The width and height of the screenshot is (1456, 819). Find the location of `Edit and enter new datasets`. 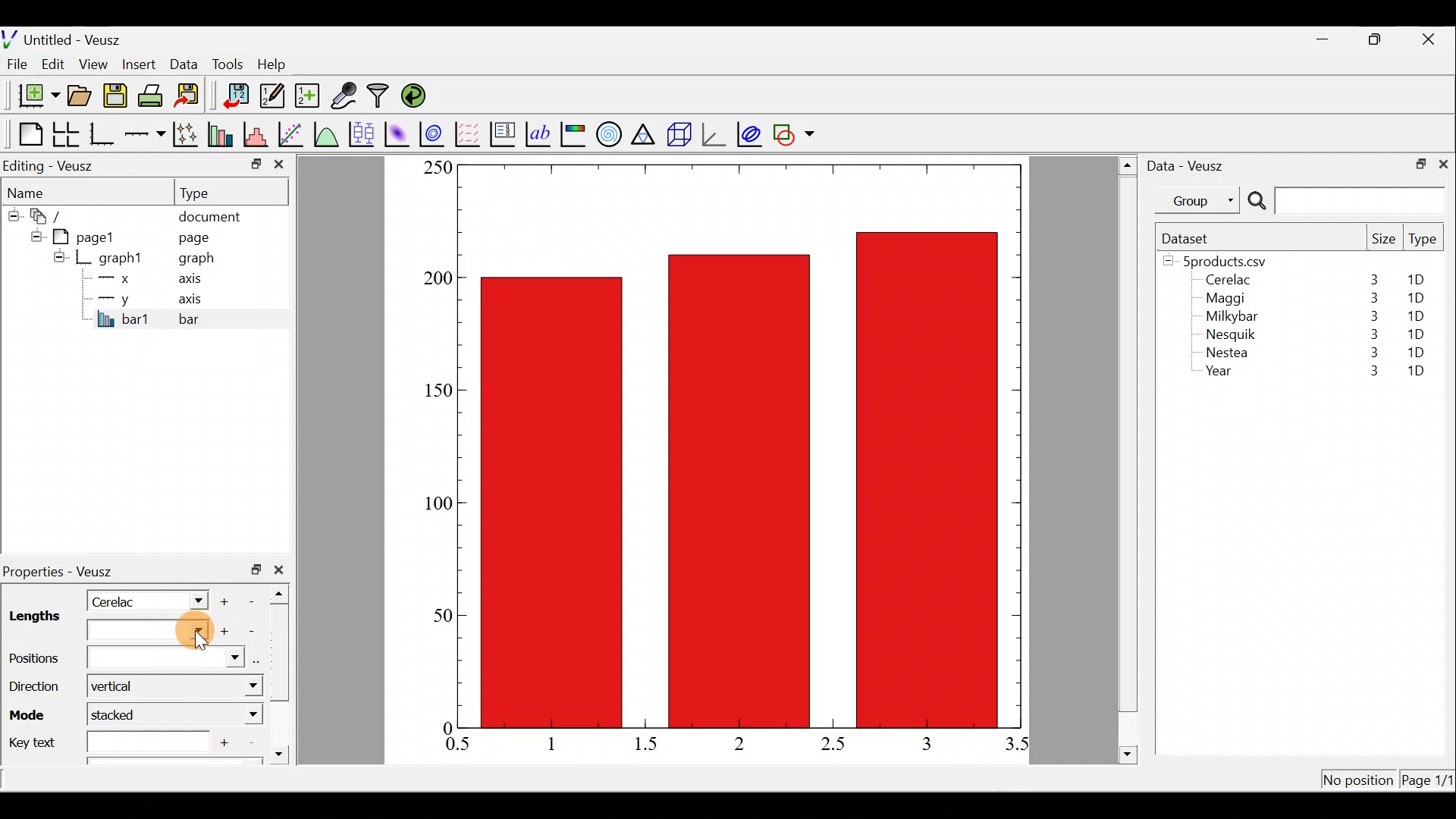

Edit and enter new datasets is located at coordinates (272, 96).